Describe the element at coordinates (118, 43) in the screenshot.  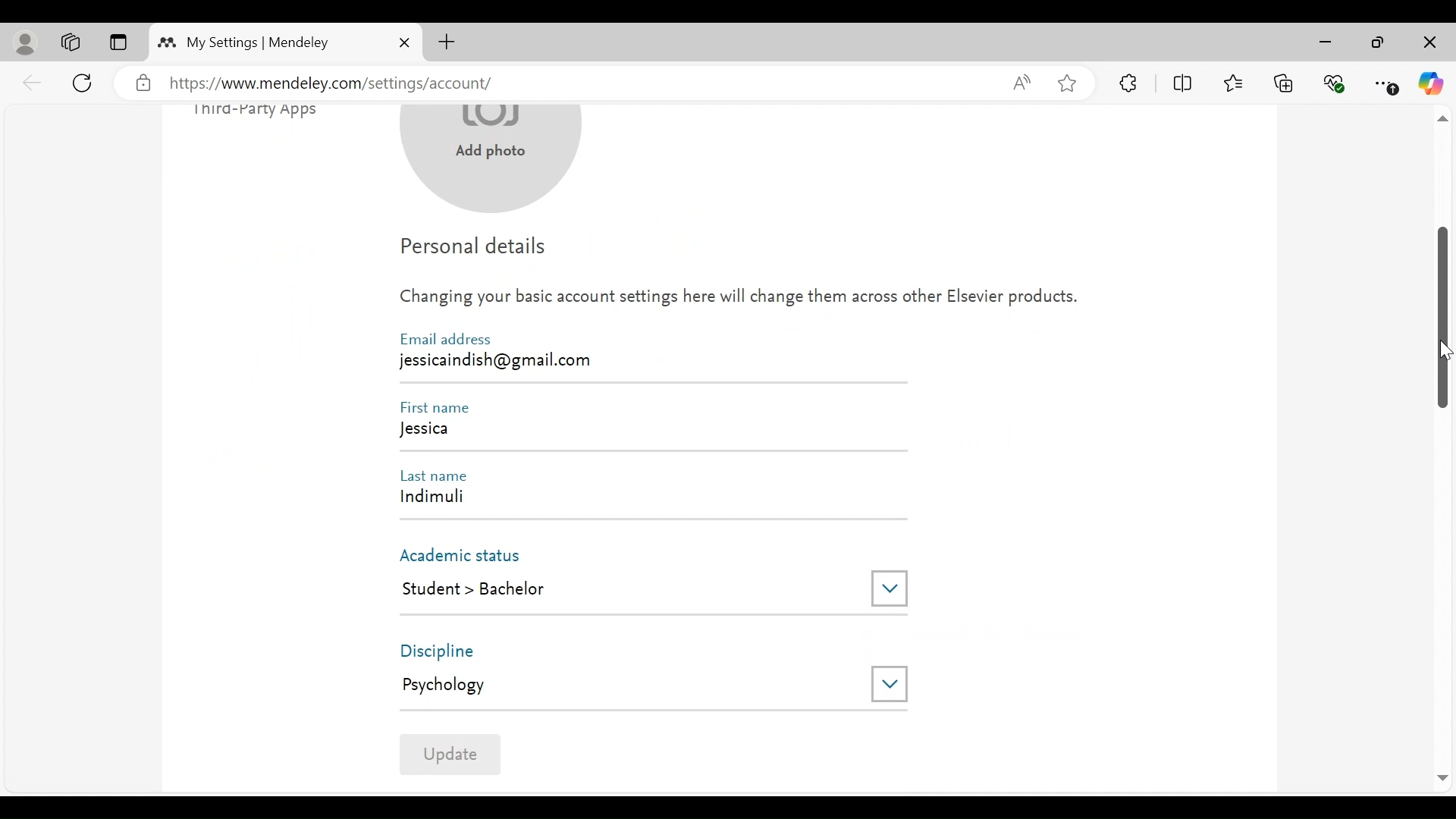
I see `Tab Actions Menu` at that location.